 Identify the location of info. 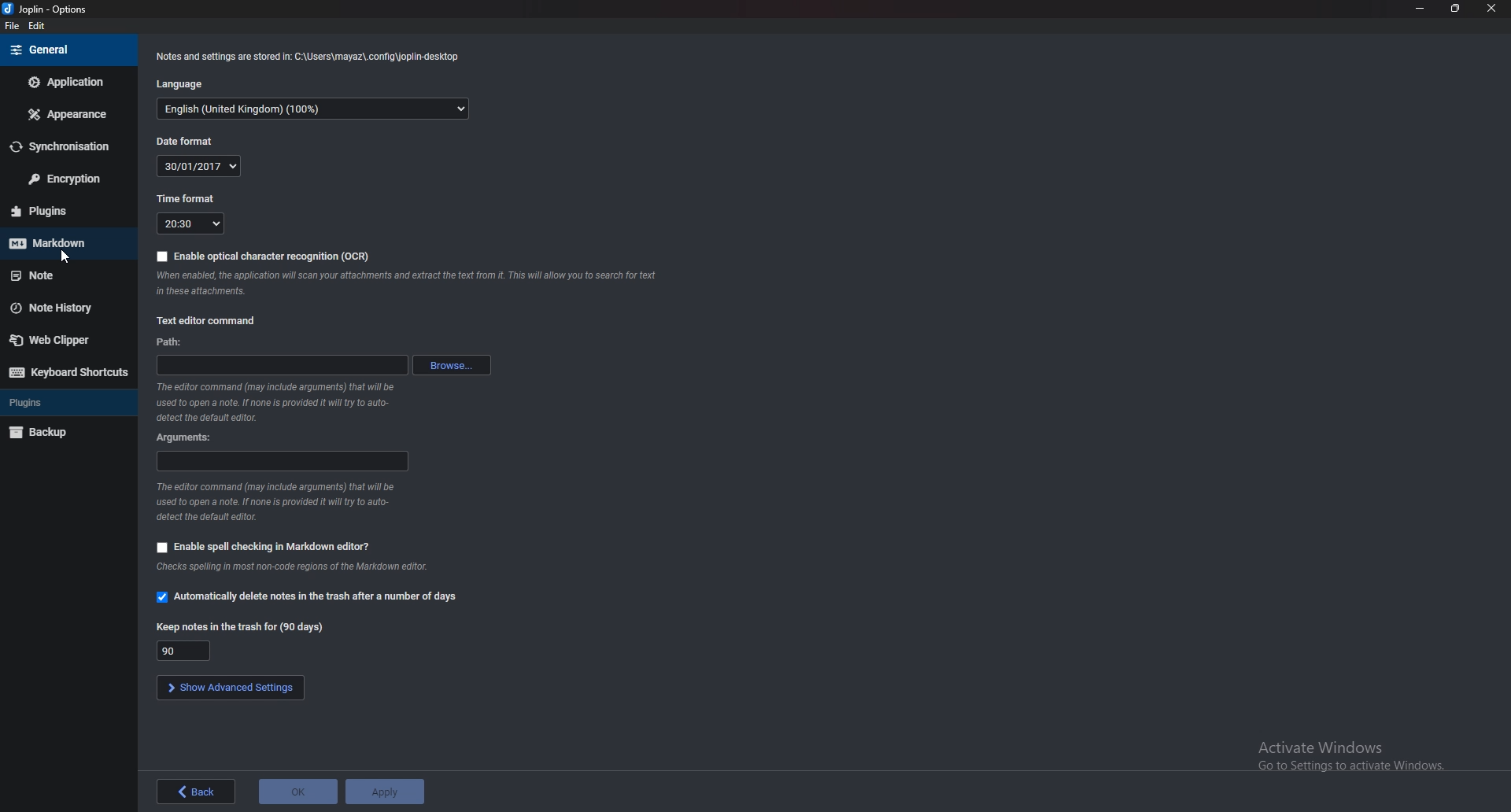
(308, 57).